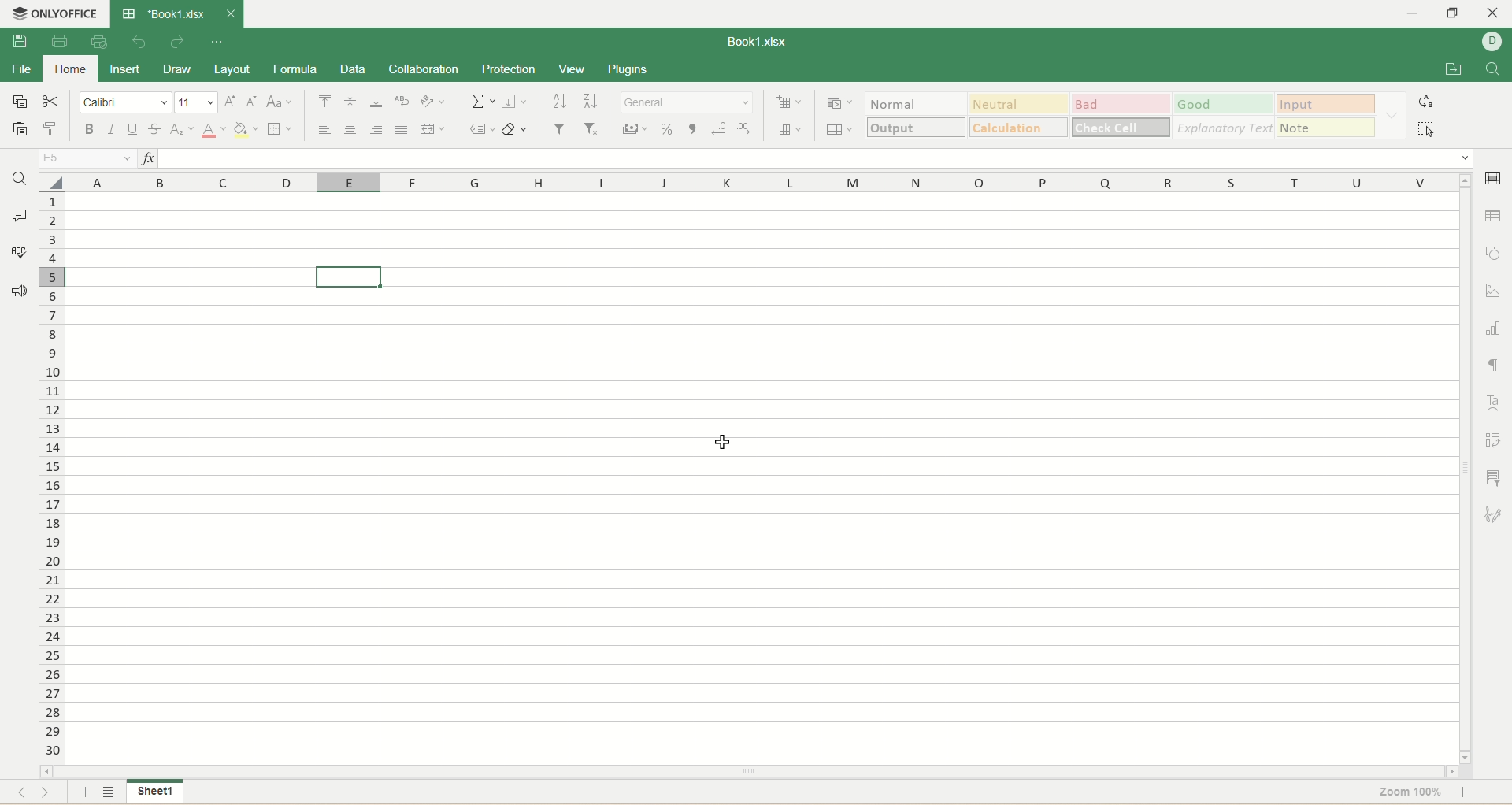  Describe the element at coordinates (817, 158) in the screenshot. I see `input line` at that location.